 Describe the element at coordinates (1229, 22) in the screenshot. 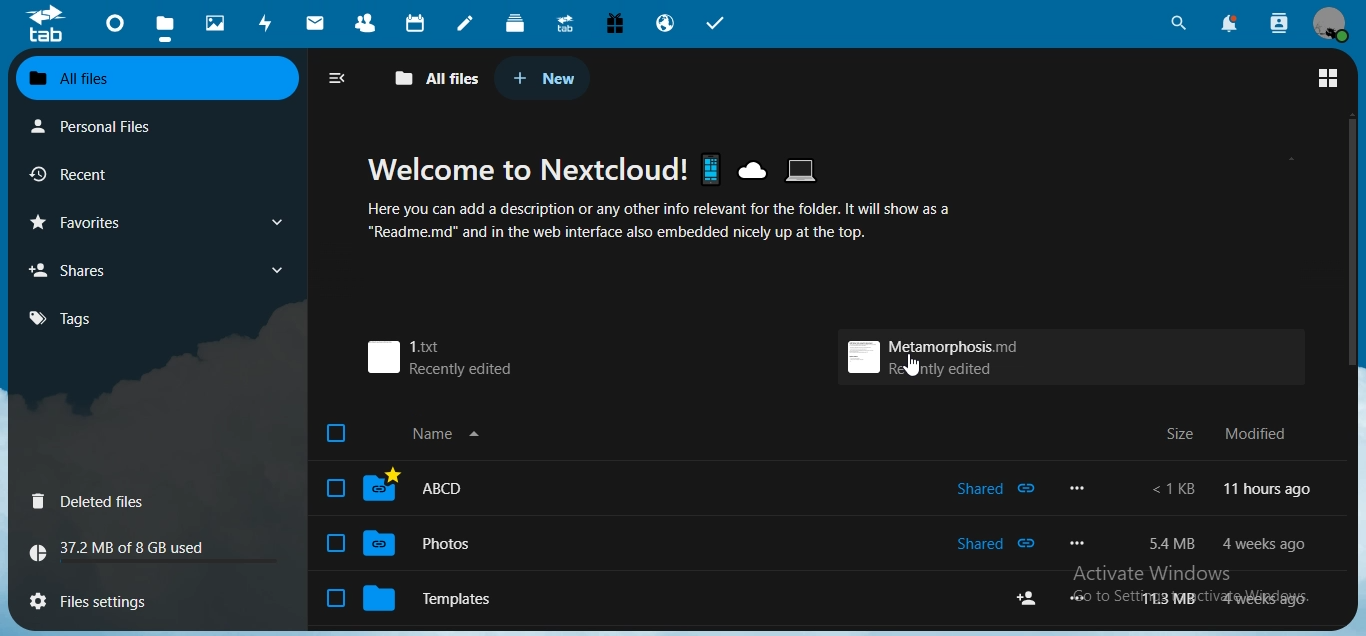

I see `notifications` at that location.